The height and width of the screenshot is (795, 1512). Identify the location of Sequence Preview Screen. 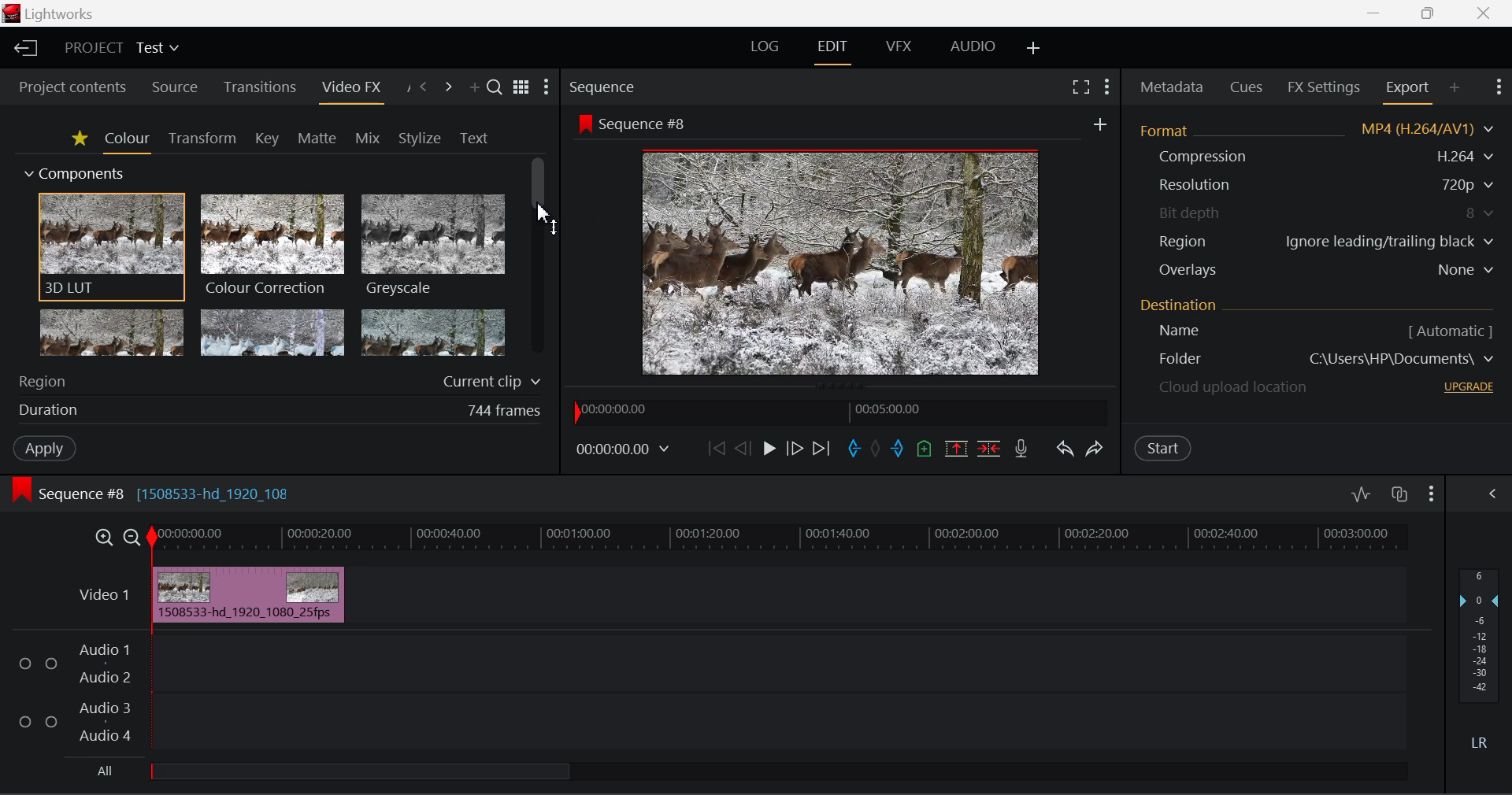
(844, 261).